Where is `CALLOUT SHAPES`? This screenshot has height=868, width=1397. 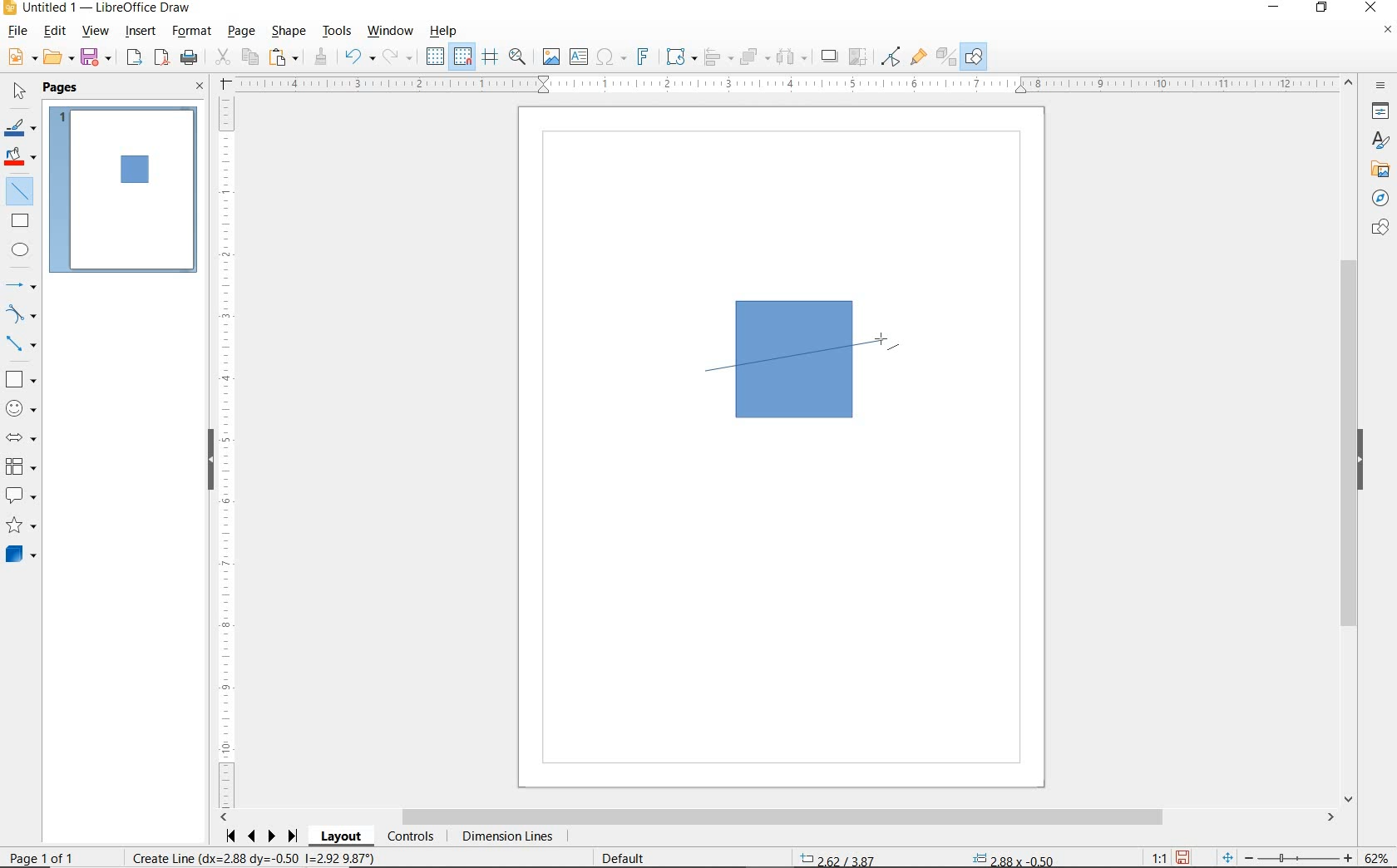 CALLOUT SHAPES is located at coordinates (22, 496).